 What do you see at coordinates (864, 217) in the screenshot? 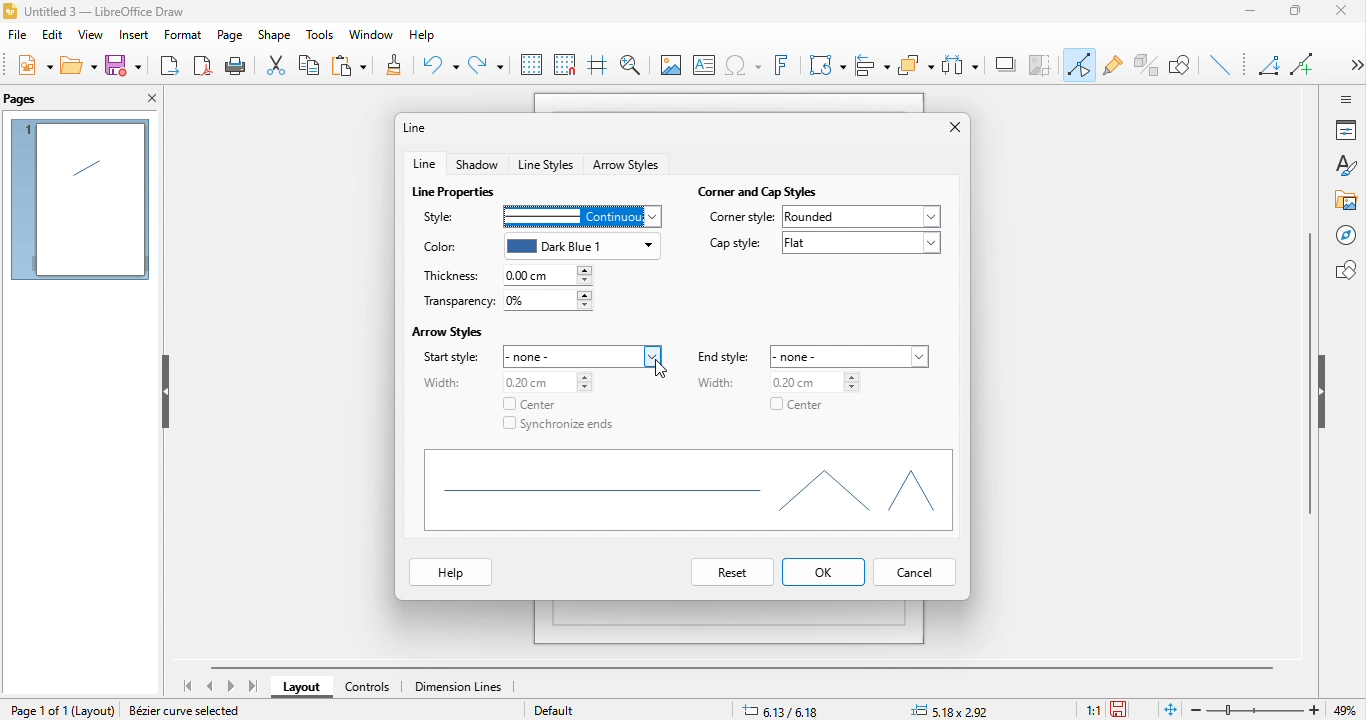
I see `rounded` at bounding box center [864, 217].